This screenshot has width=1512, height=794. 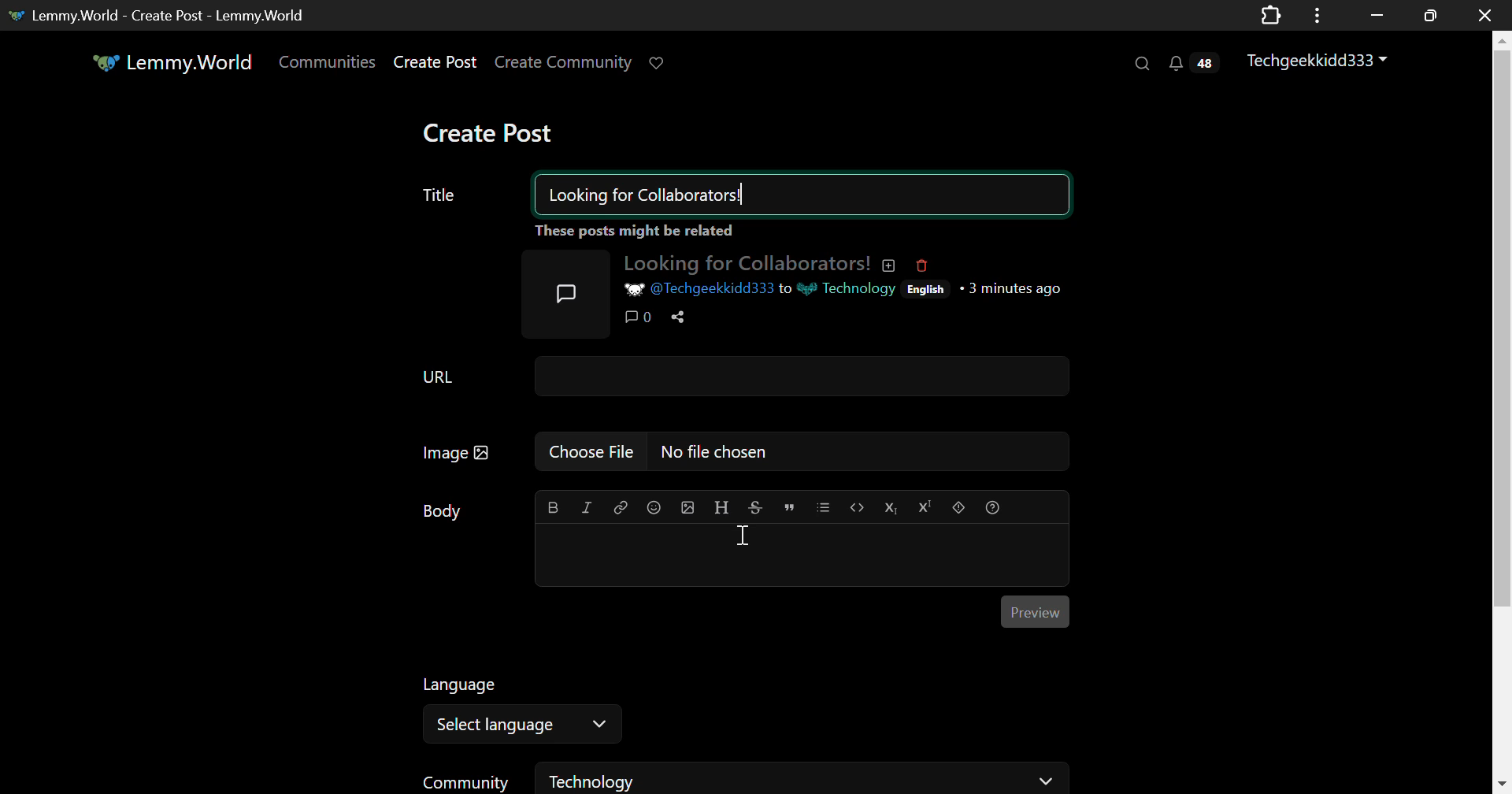 What do you see at coordinates (622, 508) in the screenshot?
I see `link` at bounding box center [622, 508].